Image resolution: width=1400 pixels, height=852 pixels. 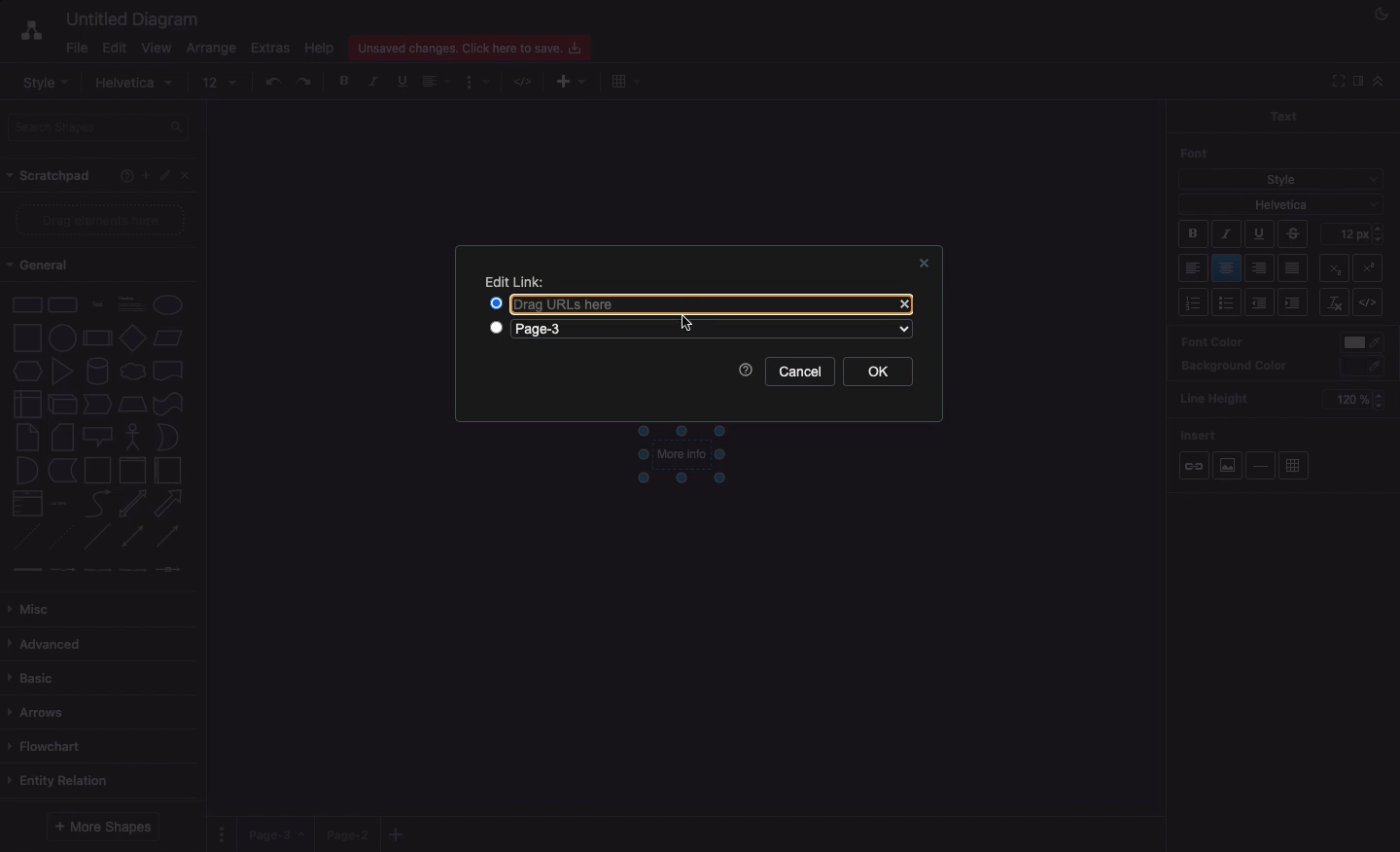 What do you see at coordinates (132, 471) in the screenshot?
I see `vertical container` at bounding box center [132, 471].